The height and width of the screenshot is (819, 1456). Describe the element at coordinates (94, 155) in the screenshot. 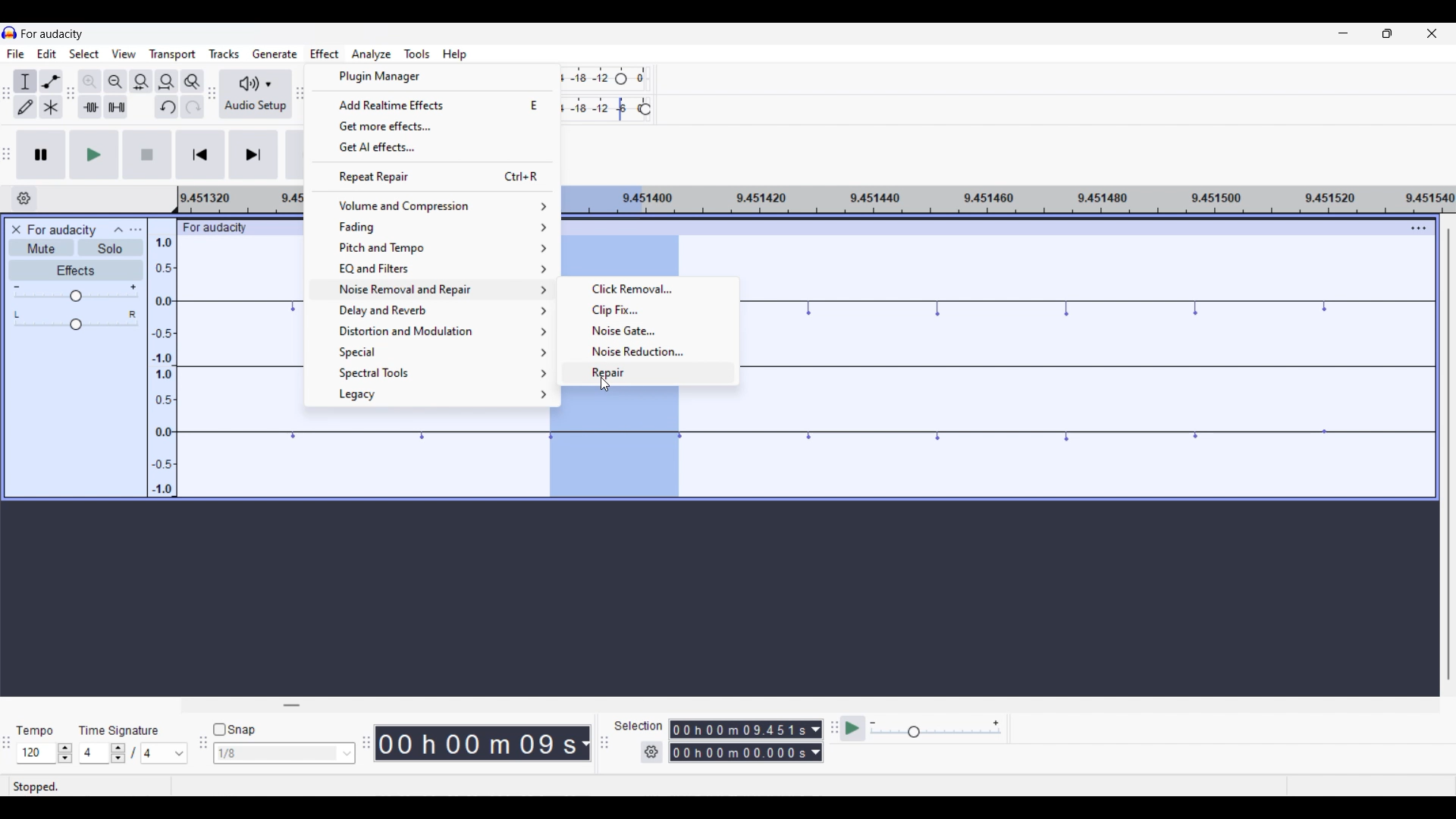

I see `Play/Play once` at that location.